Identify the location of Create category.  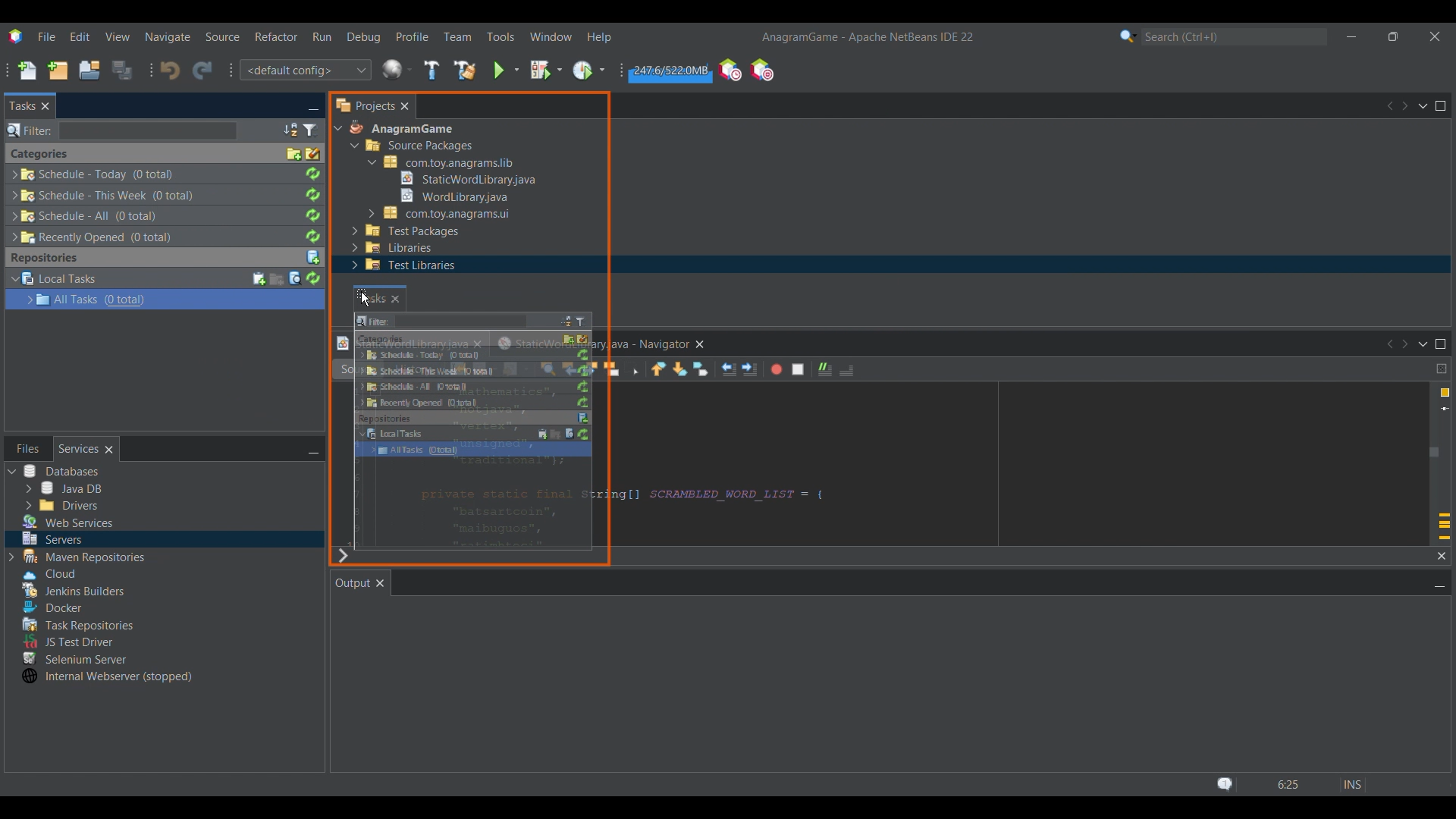
(294, 154).